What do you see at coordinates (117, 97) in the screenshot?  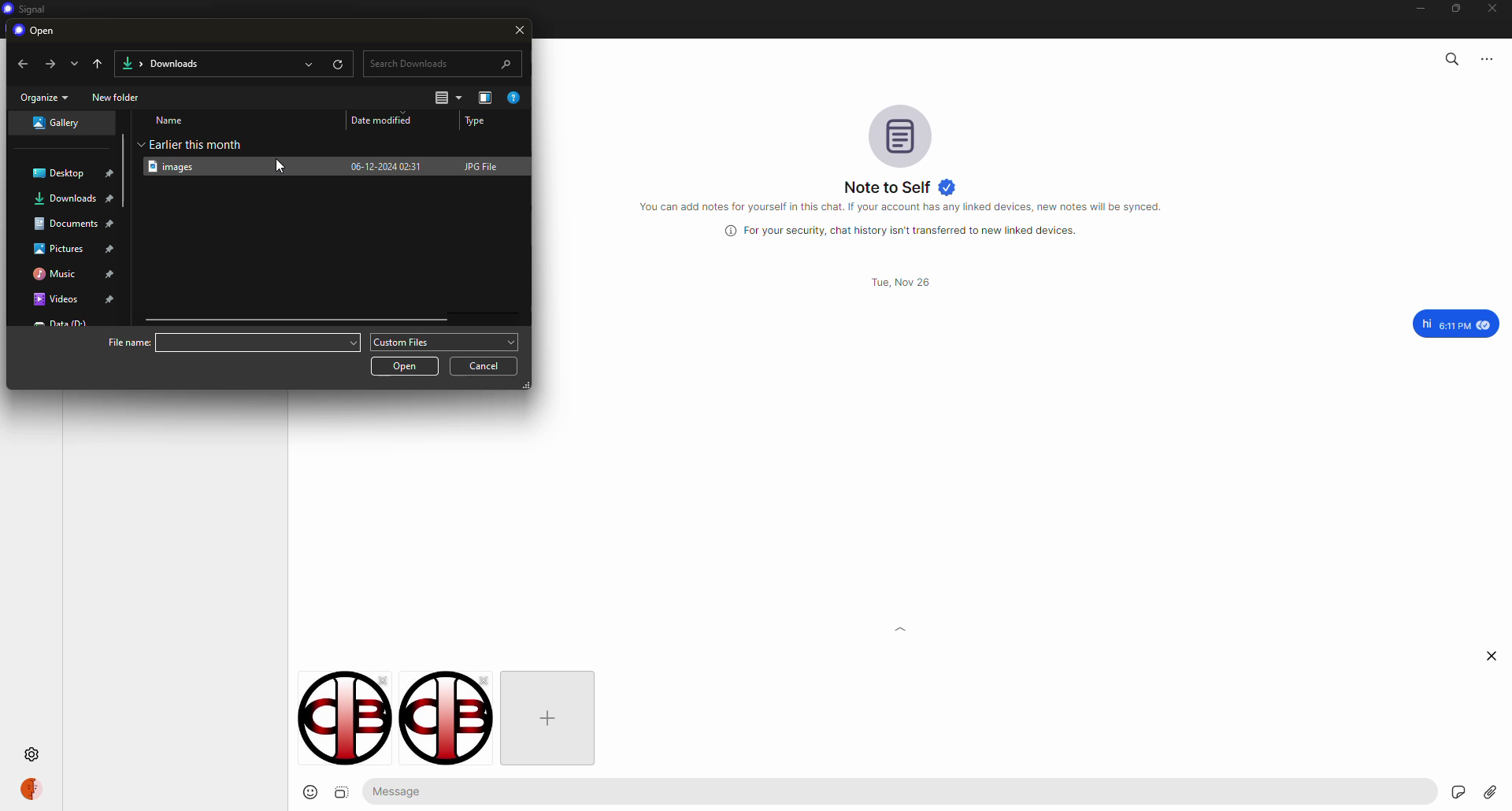 I see `new folder` at bounding box center [117, 97].